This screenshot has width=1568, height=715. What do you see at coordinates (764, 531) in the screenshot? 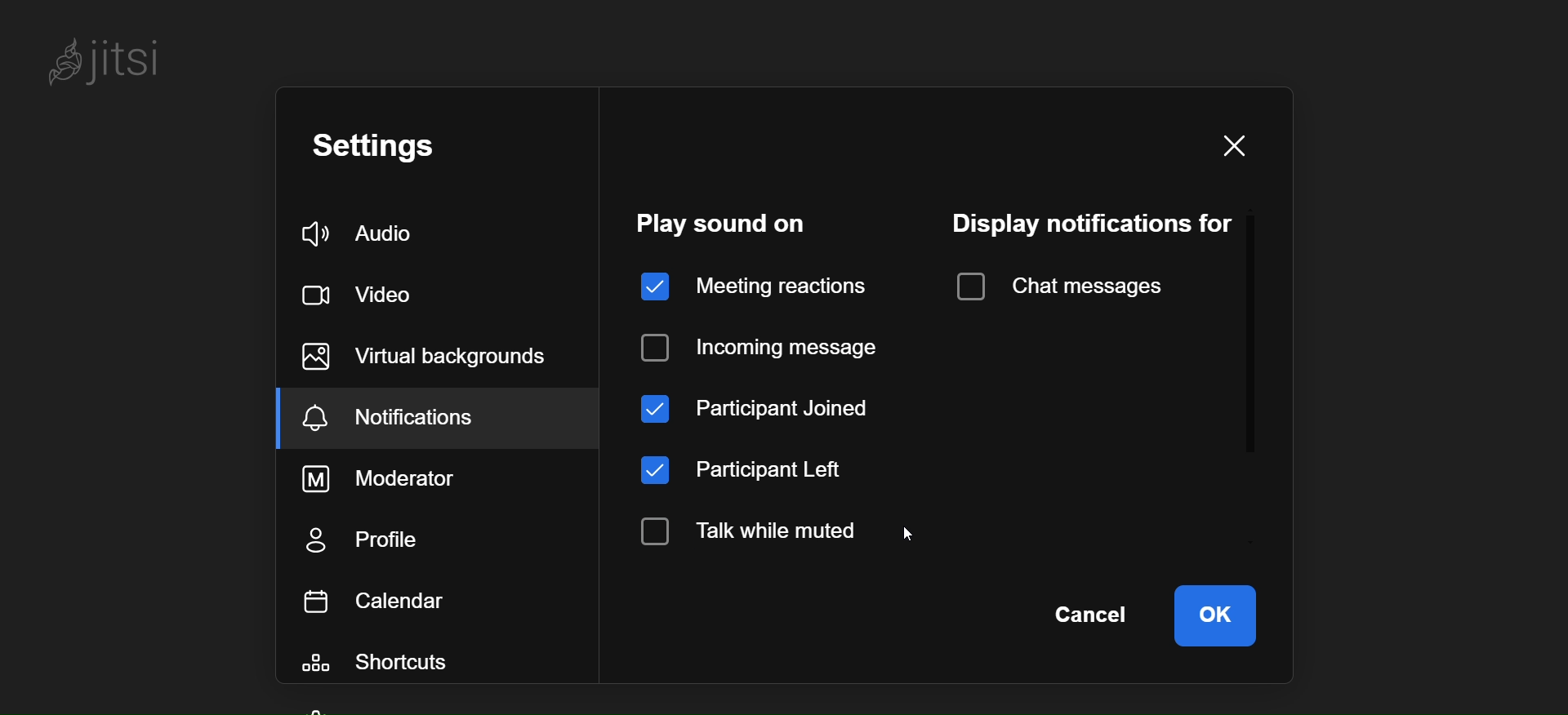
I see `talk while muted option` at bounding box center [764, 531].